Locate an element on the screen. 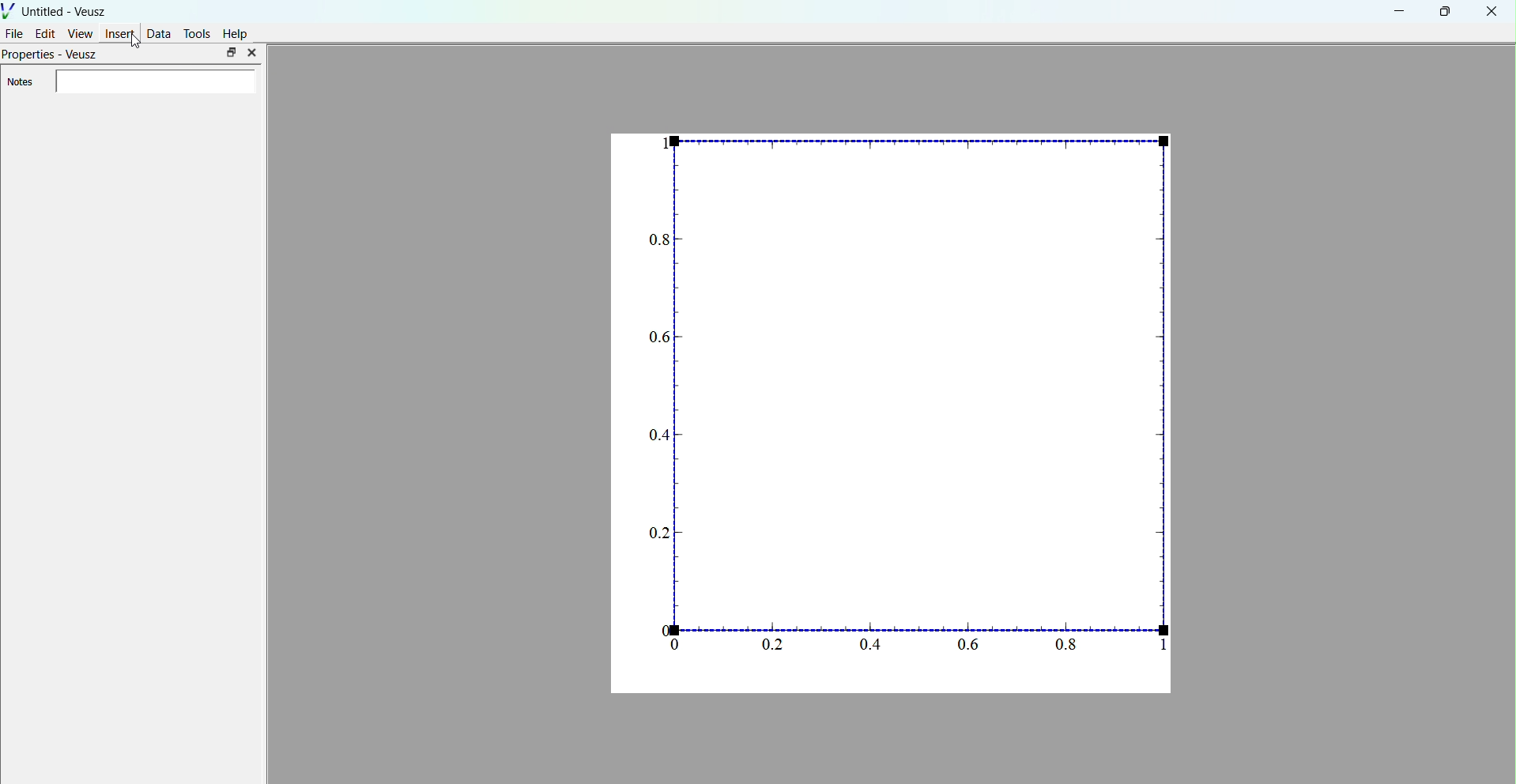 The image size is (1516, 784). Data is located at coordinates (159, 33).